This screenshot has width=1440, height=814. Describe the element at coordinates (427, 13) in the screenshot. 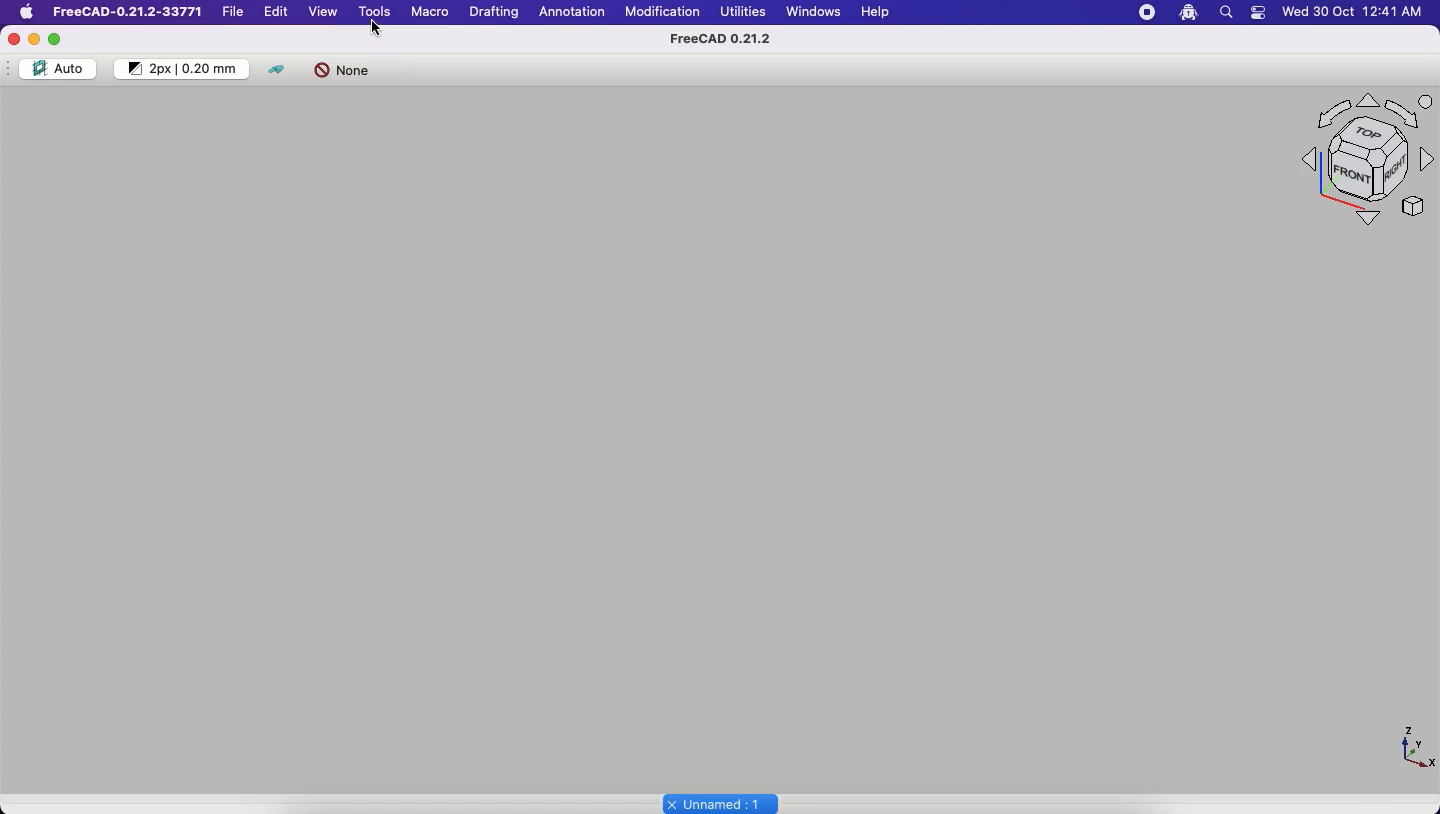

I see `Macro` at that location.